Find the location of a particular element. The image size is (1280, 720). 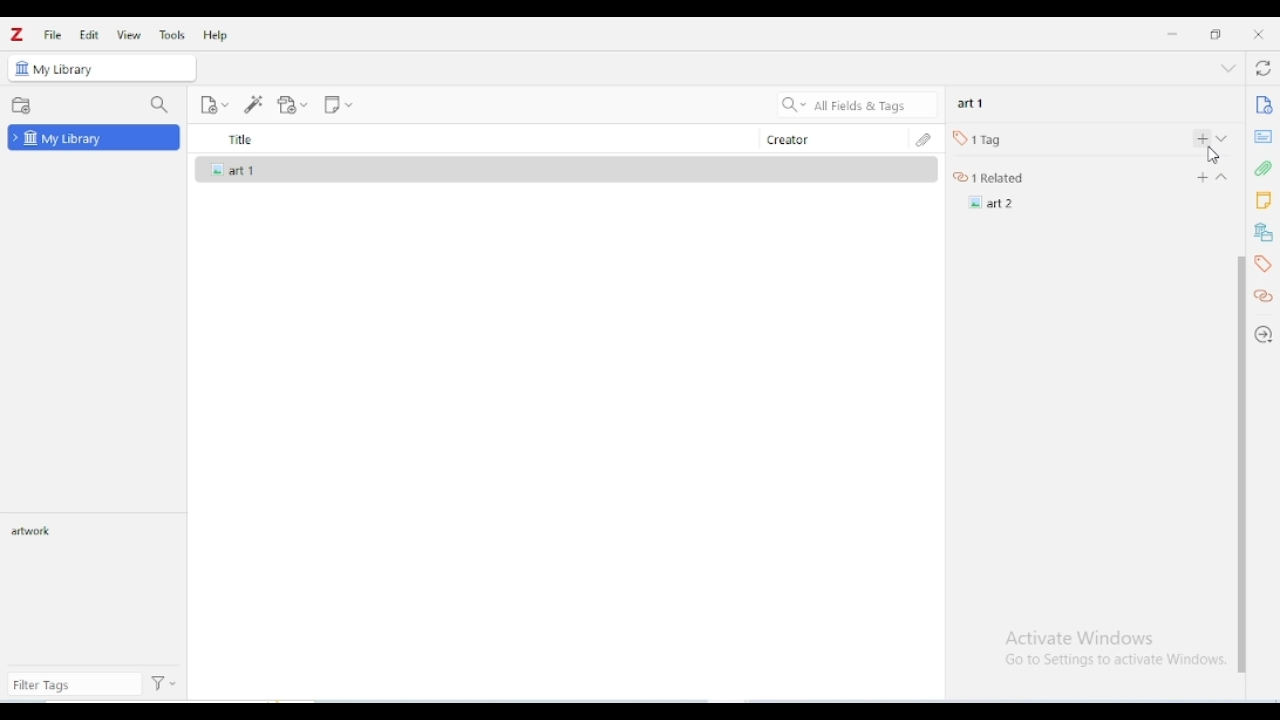

title is located at coordinates (476, 139).